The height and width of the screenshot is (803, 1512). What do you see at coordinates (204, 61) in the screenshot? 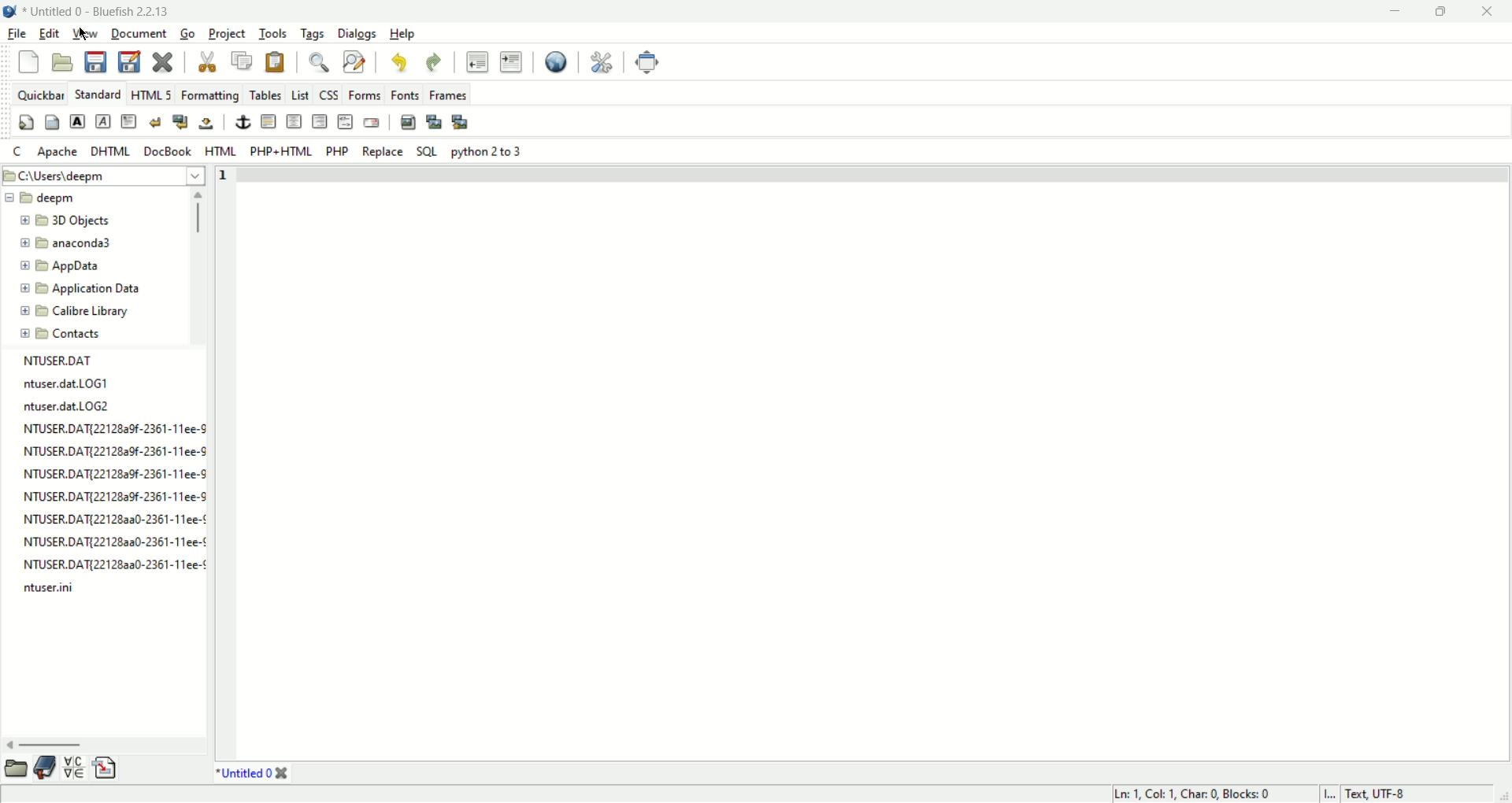
I see `cut` at bounding box center [204, 61].